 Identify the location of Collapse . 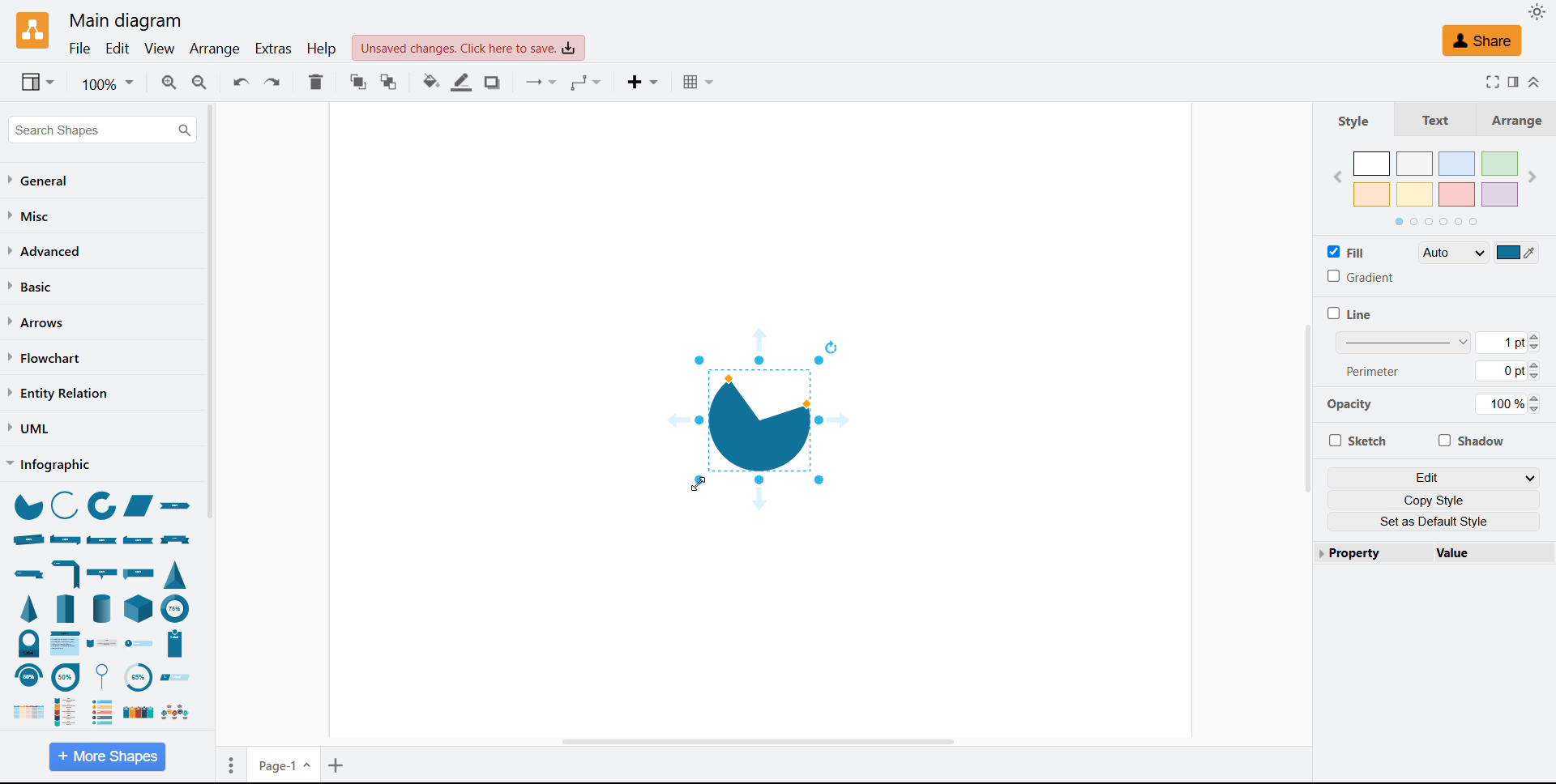
(1536, 83).